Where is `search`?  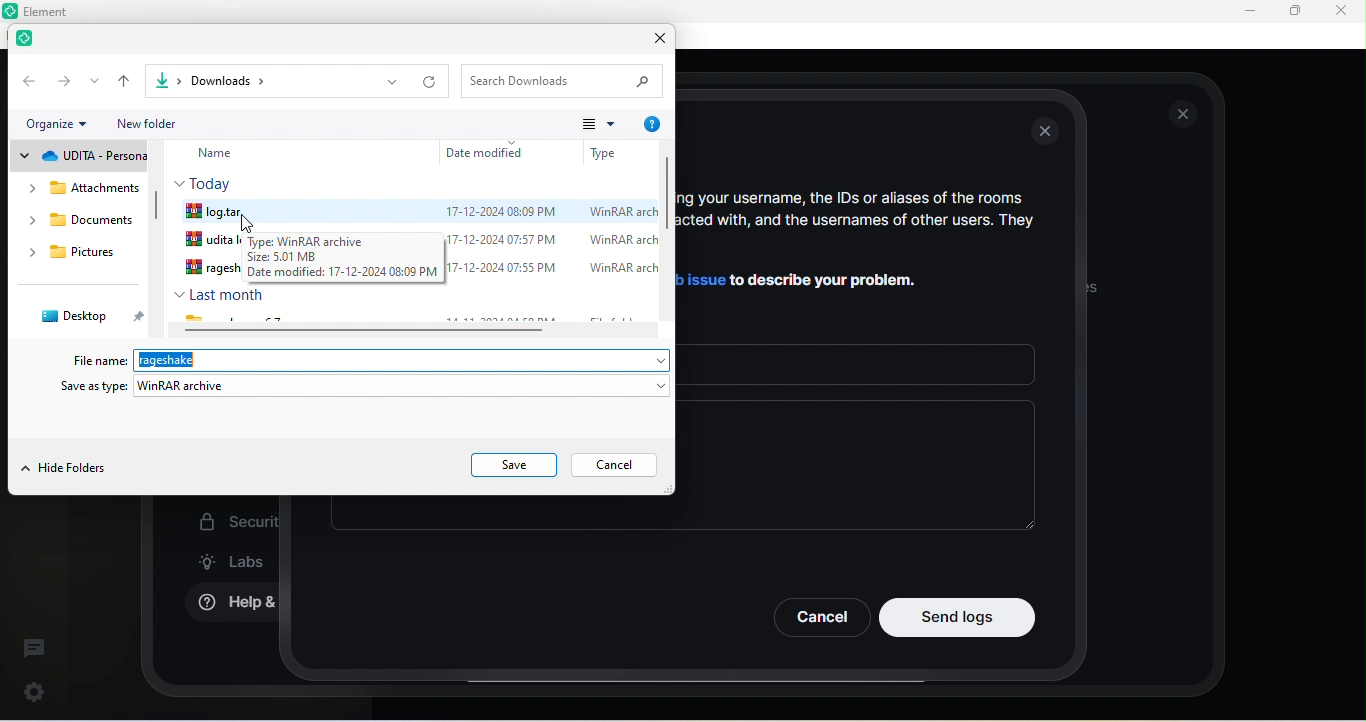
search is located at coordinates (566, 80).